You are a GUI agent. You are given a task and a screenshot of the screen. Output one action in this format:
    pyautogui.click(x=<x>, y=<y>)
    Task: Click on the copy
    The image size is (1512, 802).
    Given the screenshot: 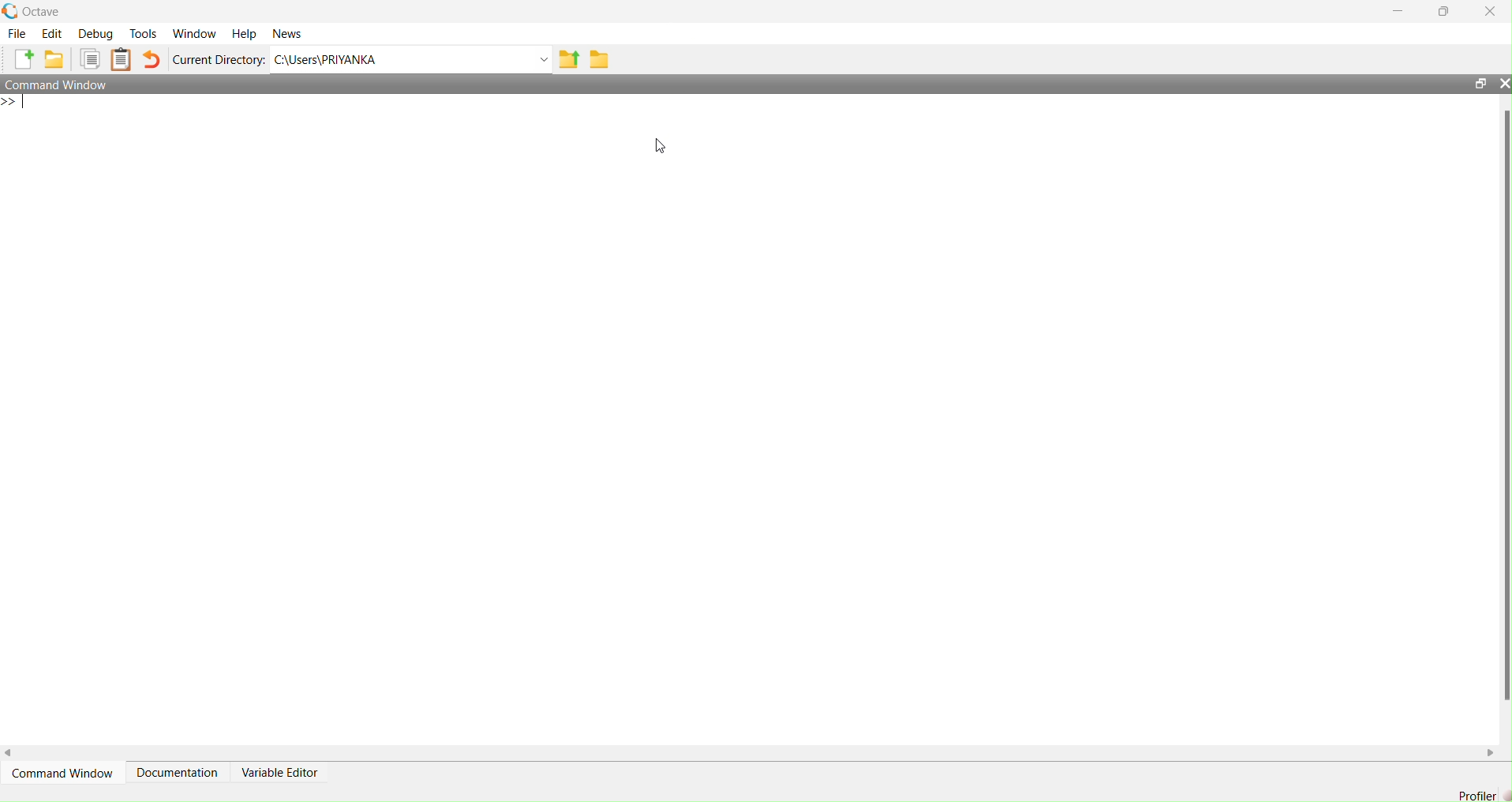 What is the action you would take?
    pyautogui.click(x=86, y=59)
    